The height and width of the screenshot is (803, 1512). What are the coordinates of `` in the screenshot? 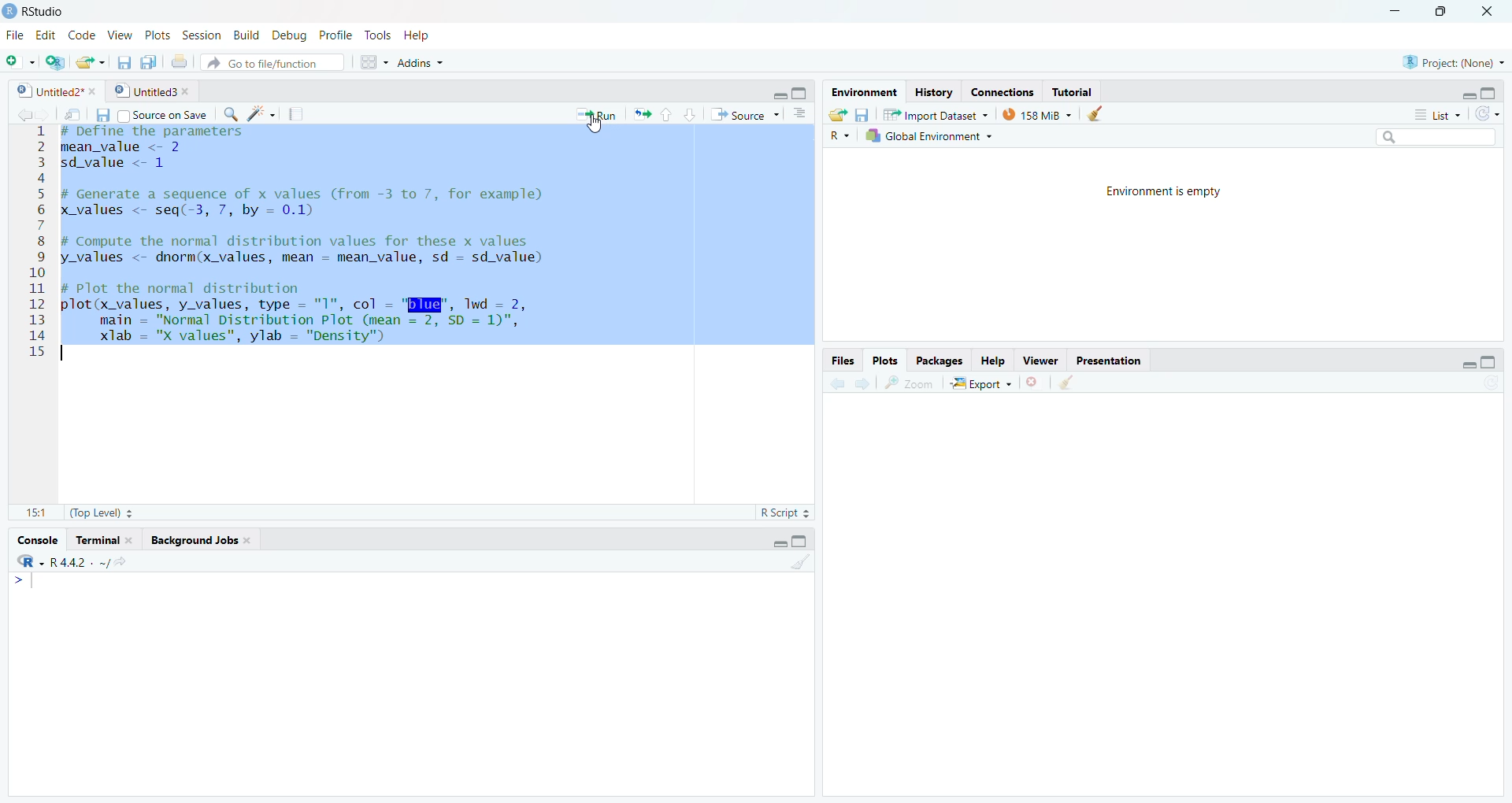 It's located at (862, 114).